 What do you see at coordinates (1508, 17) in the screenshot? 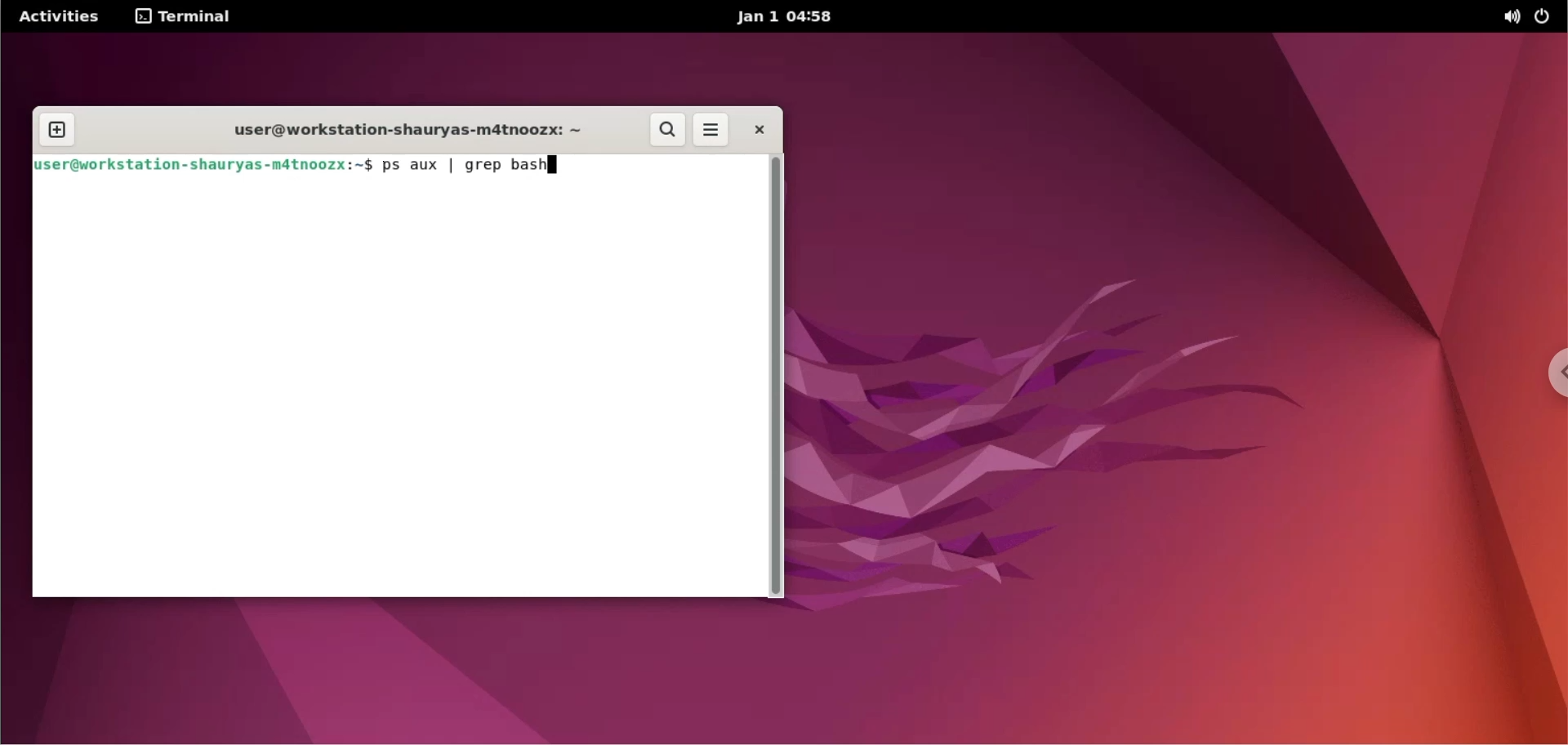
I see `sound options` at bounding box center [1508, 17].